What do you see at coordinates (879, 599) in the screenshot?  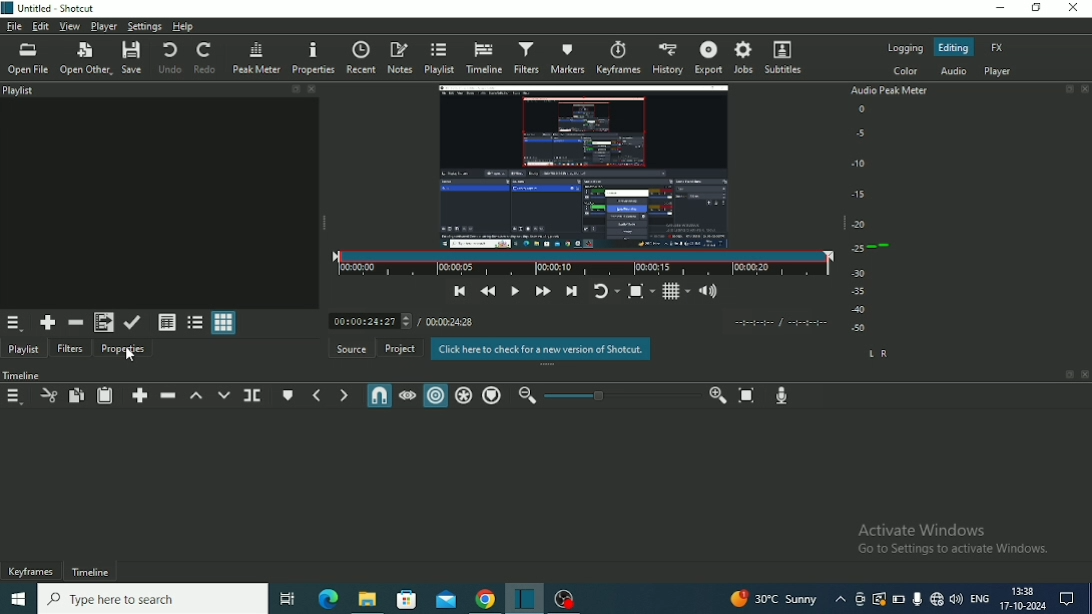 I see `Warning` at bounding box center [879, 599].